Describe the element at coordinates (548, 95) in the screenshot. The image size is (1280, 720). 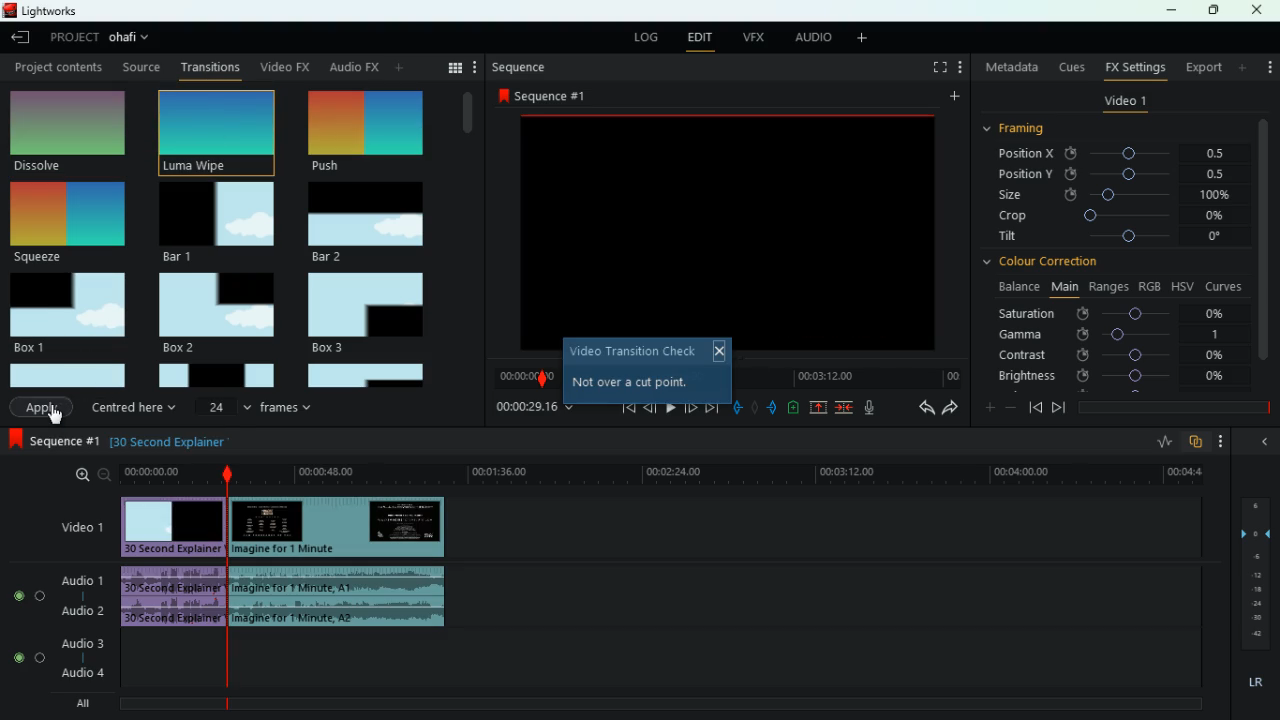
I see `sequence` at that location.